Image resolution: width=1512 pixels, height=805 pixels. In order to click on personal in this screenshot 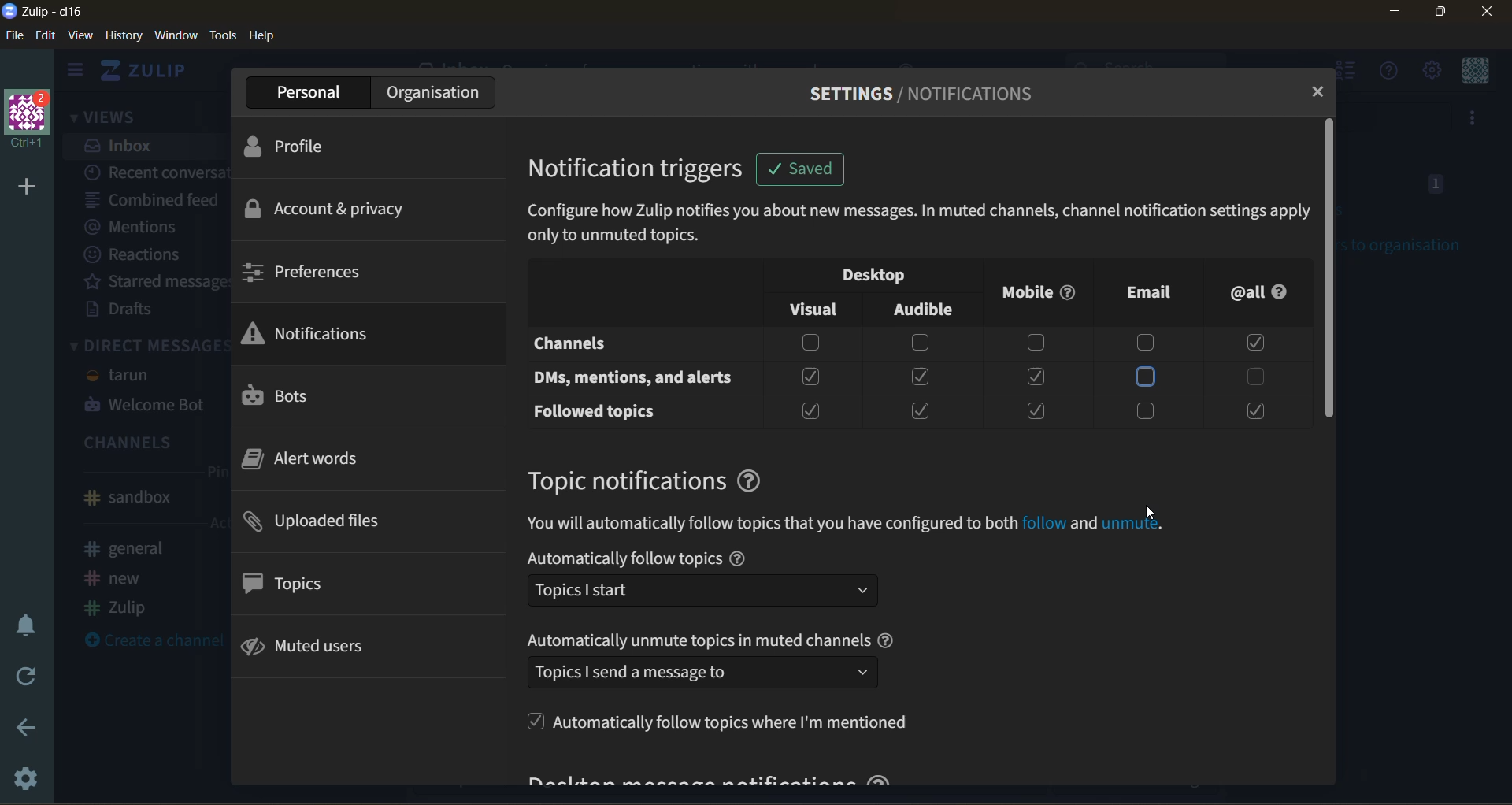, I will do `click(301, 93)`.